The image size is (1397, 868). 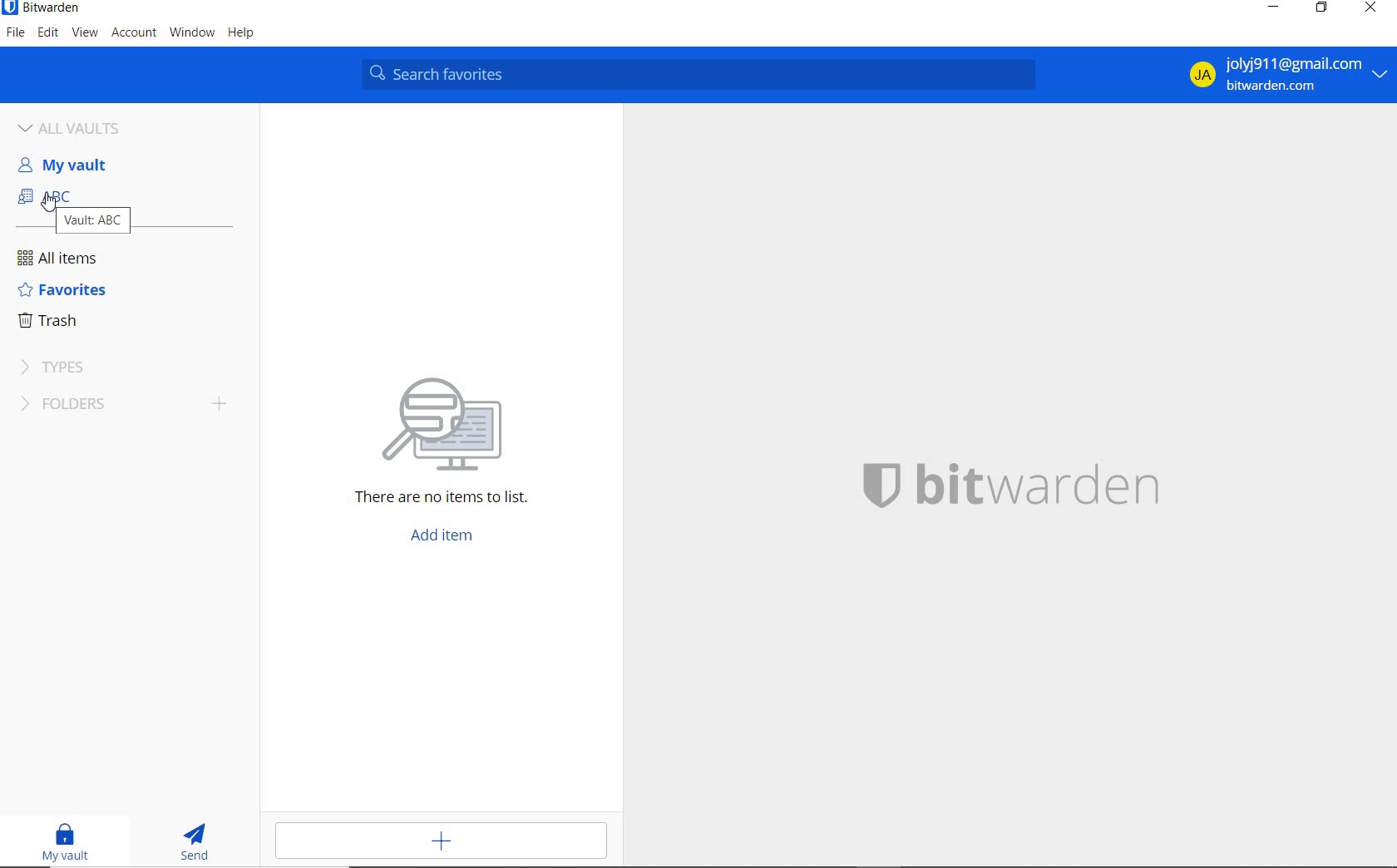 I want to click on FAVORITES, so click(x=63, y=291).